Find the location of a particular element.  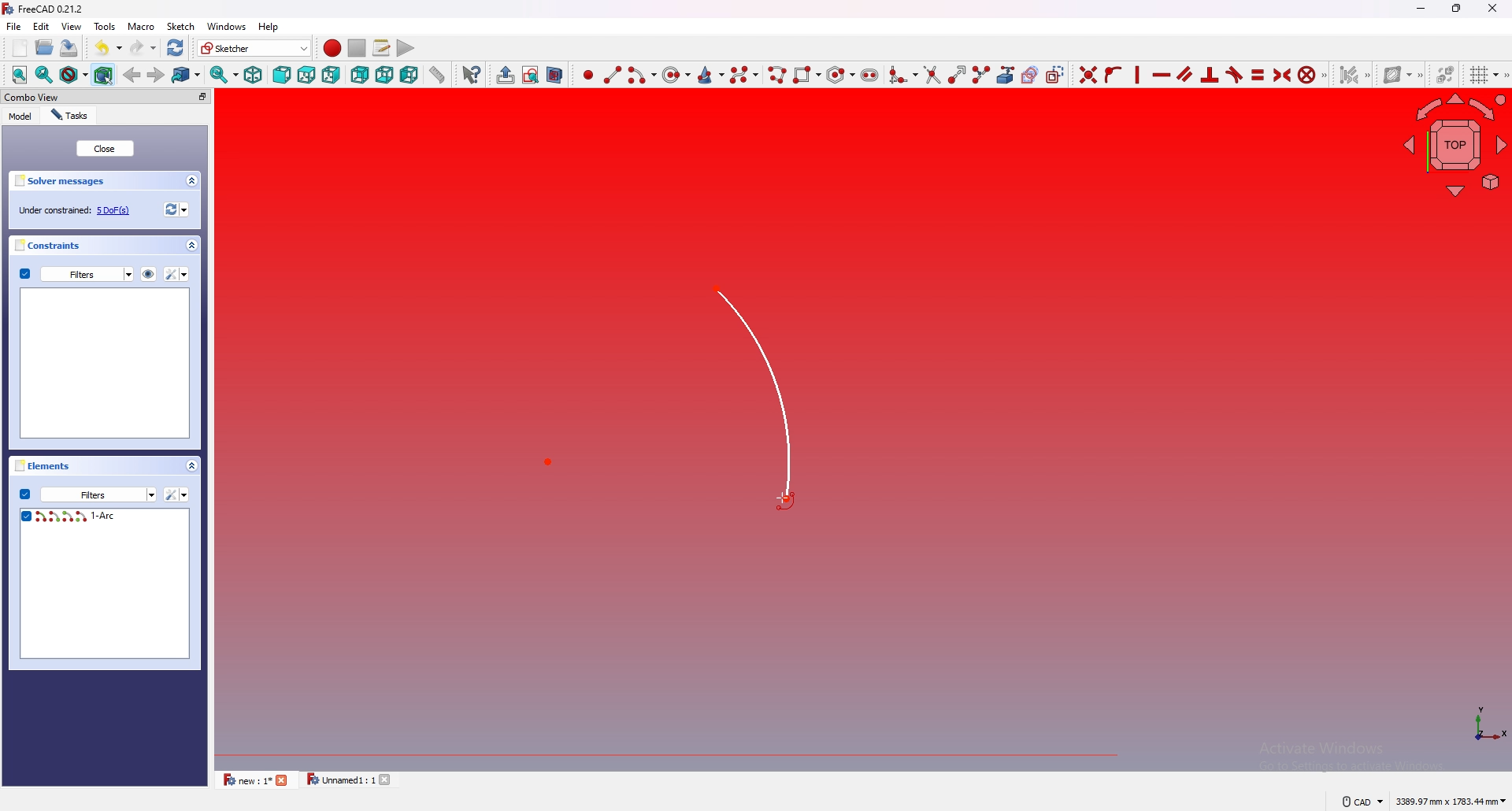

hide all listed constraints is located at coordinates (149, 273).